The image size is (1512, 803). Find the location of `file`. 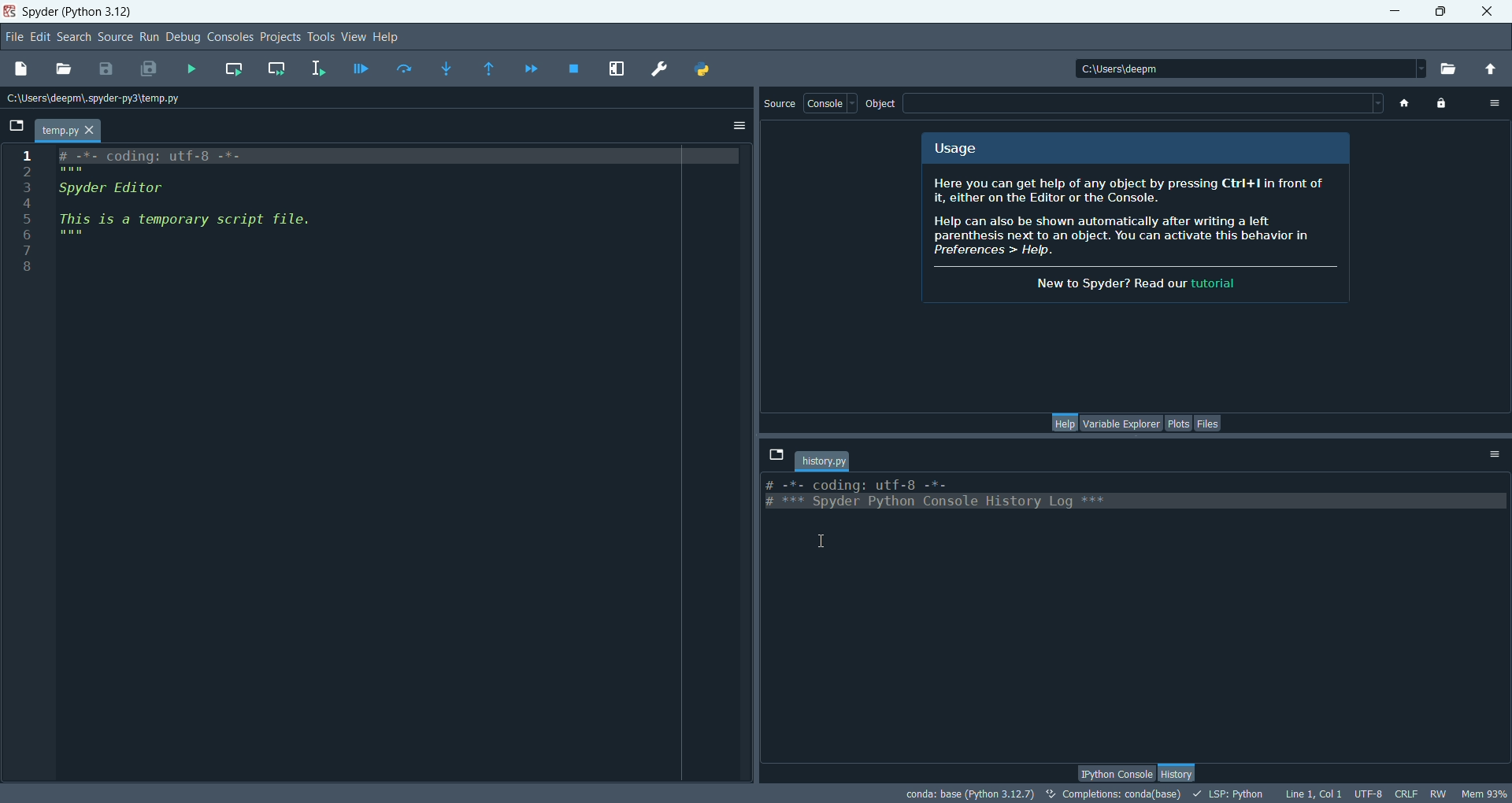

file is located at coordinates (15, 37).